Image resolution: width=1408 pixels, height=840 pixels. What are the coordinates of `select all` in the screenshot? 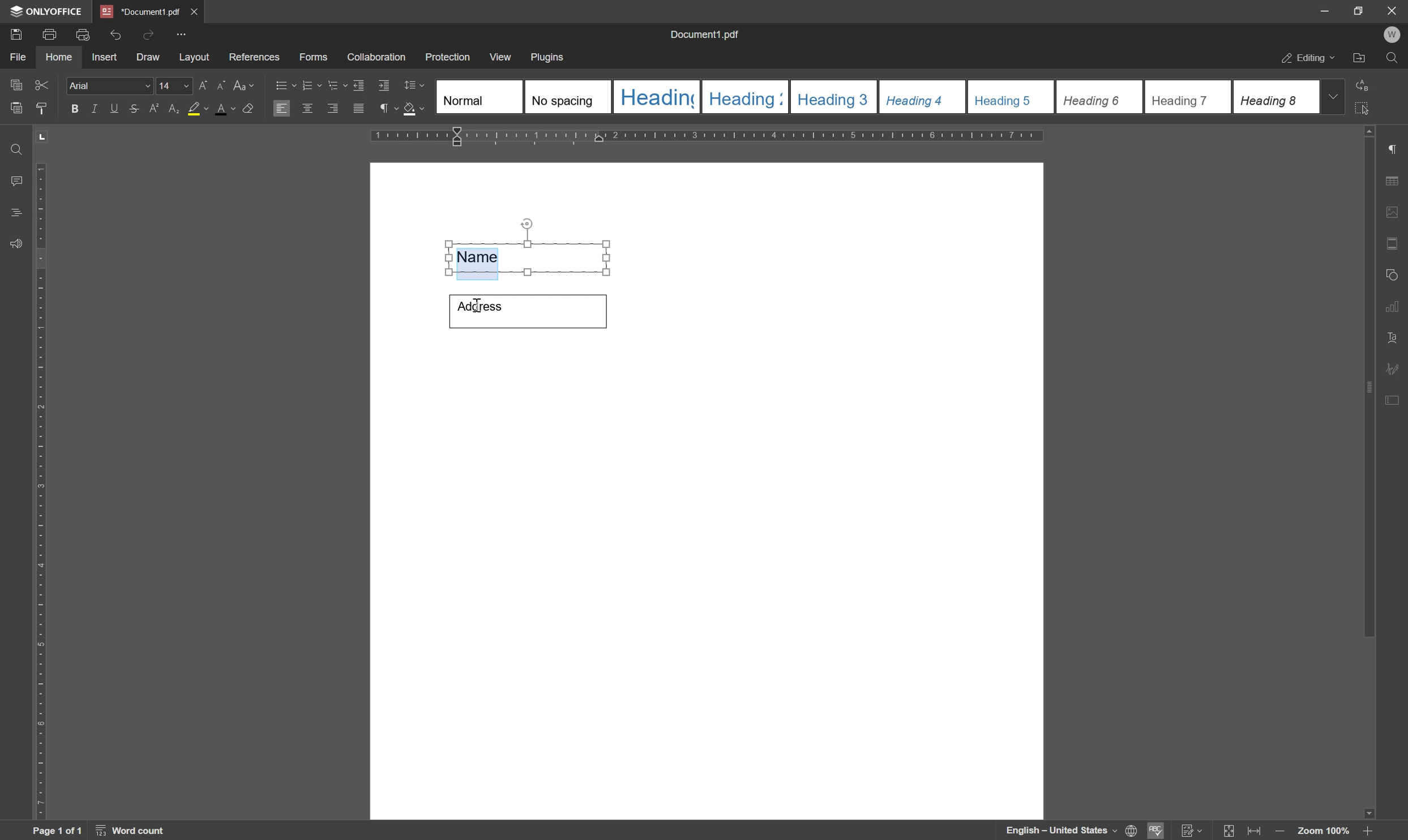 It's located at (1368, 108).